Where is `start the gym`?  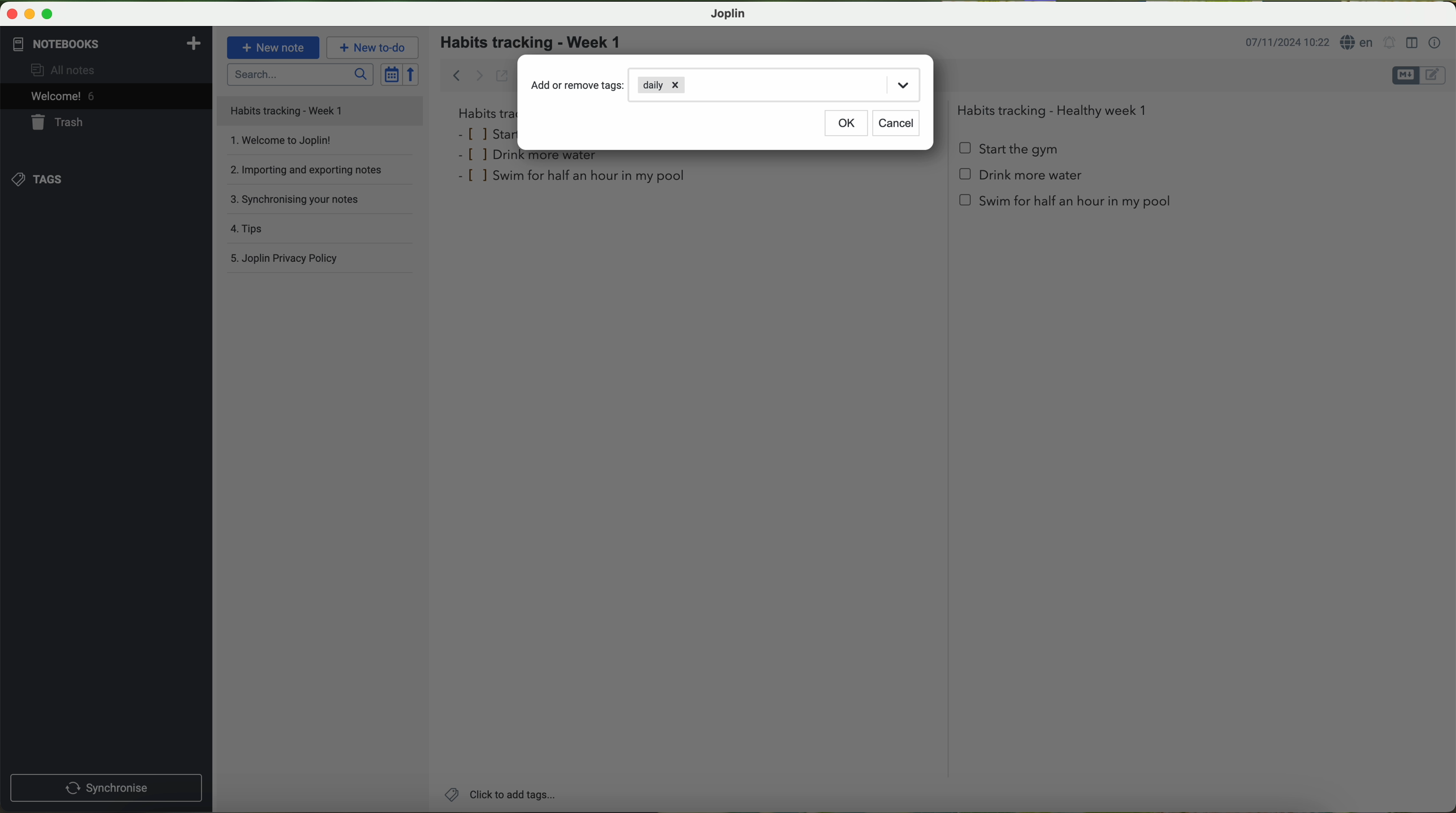 start the gym is located at coordinates (1010, 149).